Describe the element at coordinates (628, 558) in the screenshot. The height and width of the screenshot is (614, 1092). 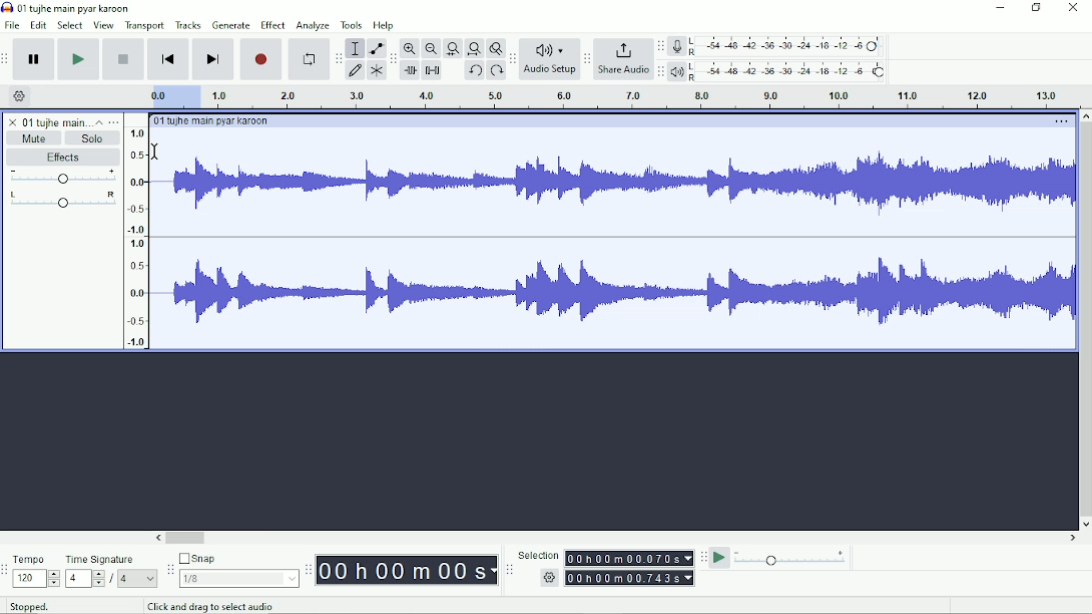
I see `00 h 00 m 00.070s` at that location.